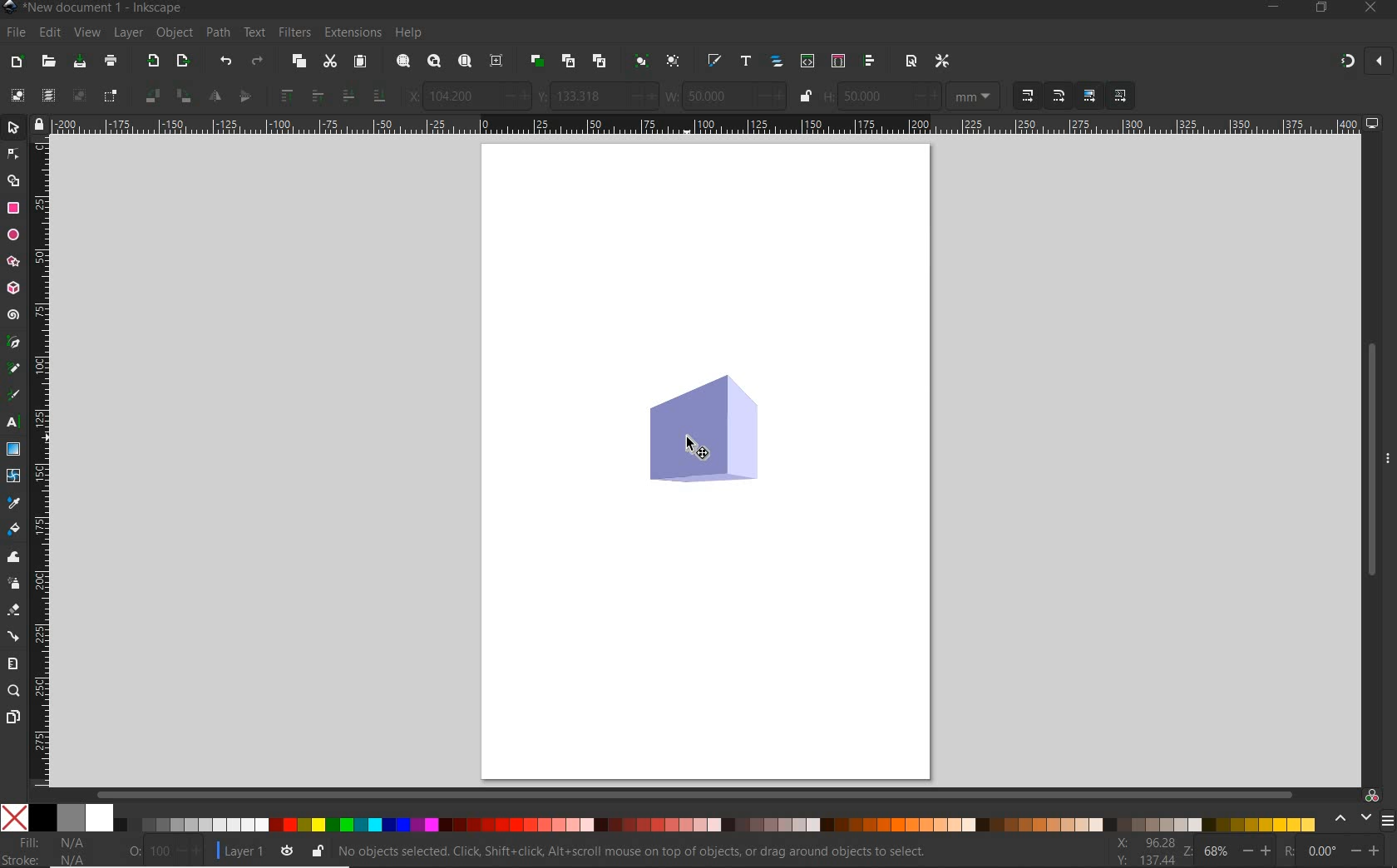  What do you see at coordinates (704, 430) in the screenshot?
I see `shape` at bounding box center [704, 430].